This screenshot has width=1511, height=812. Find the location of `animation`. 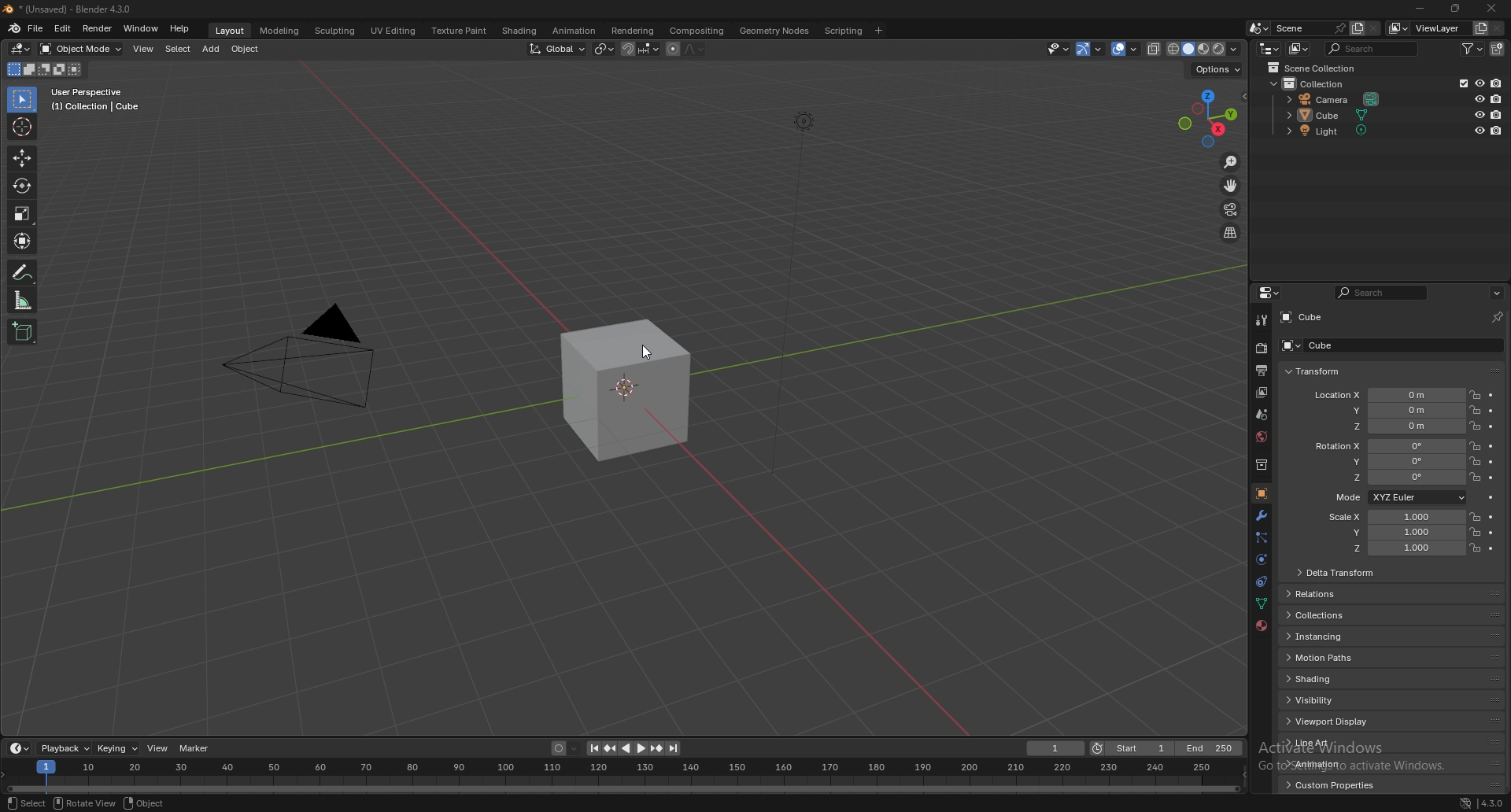

animation is located at coordinates (1331, 763).